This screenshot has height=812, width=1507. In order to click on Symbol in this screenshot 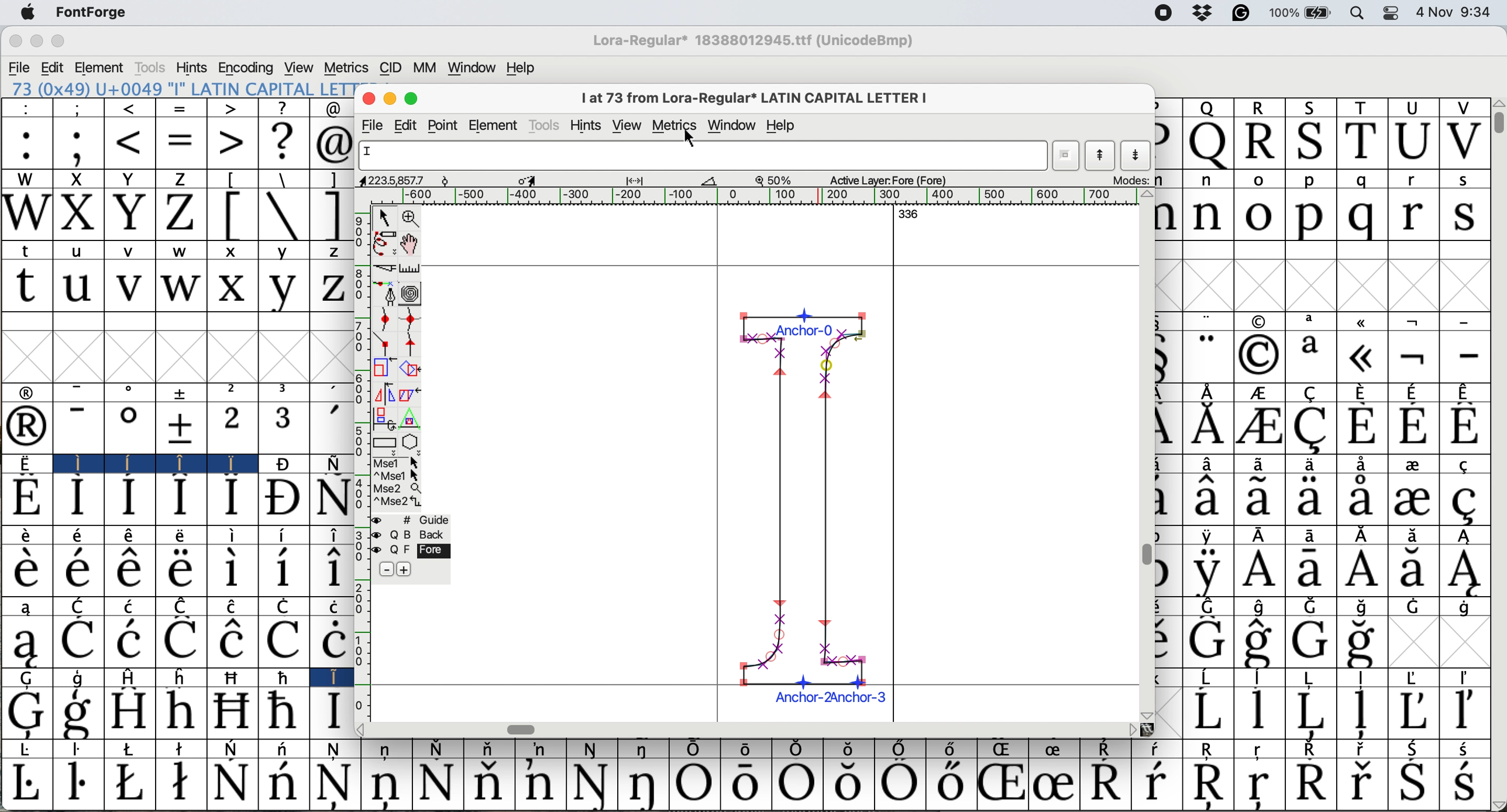, I will do `click(1309, 465)`.